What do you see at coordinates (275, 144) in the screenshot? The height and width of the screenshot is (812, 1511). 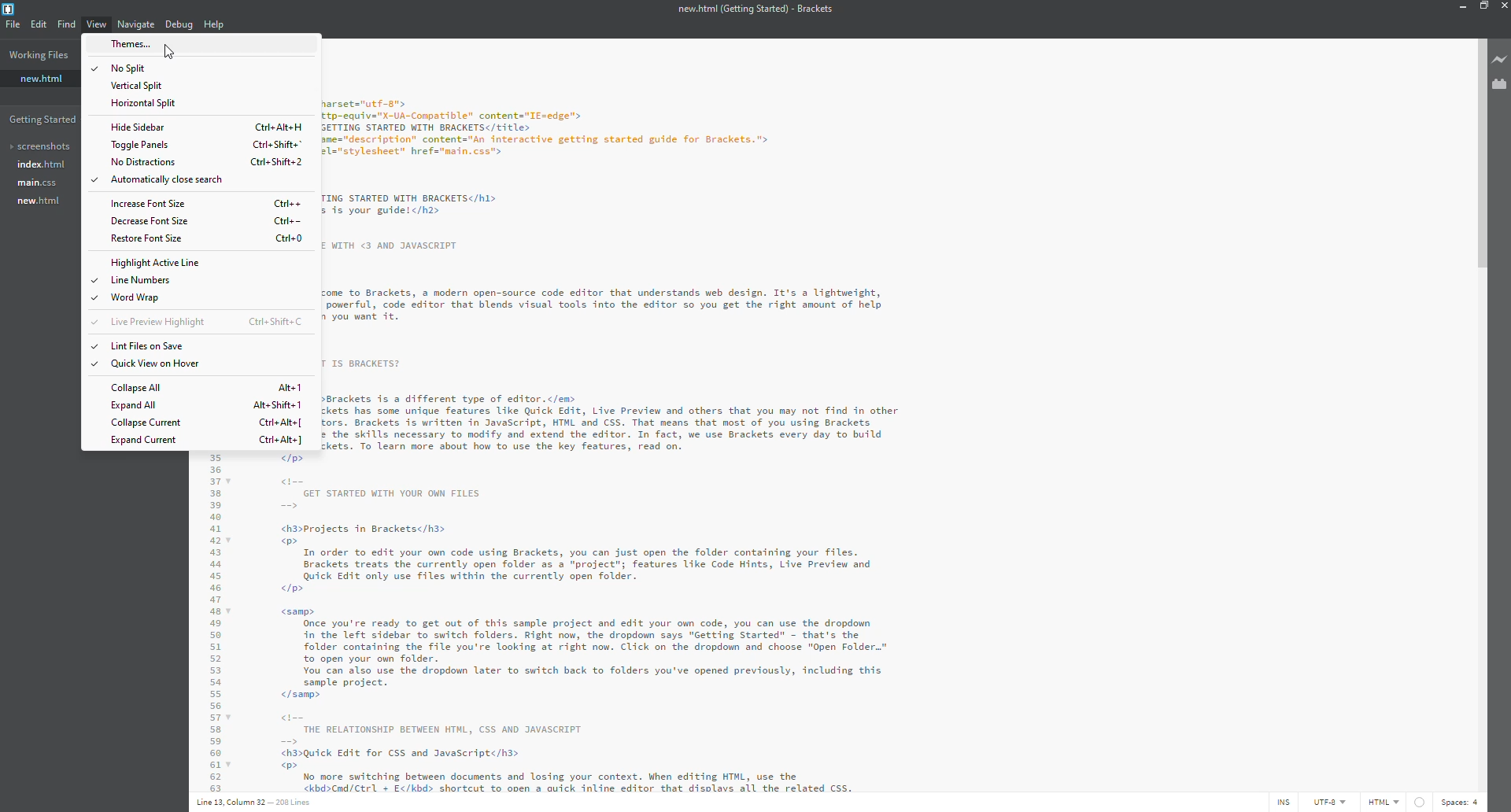 I see `shortcut` at bounding box center [275, 144].